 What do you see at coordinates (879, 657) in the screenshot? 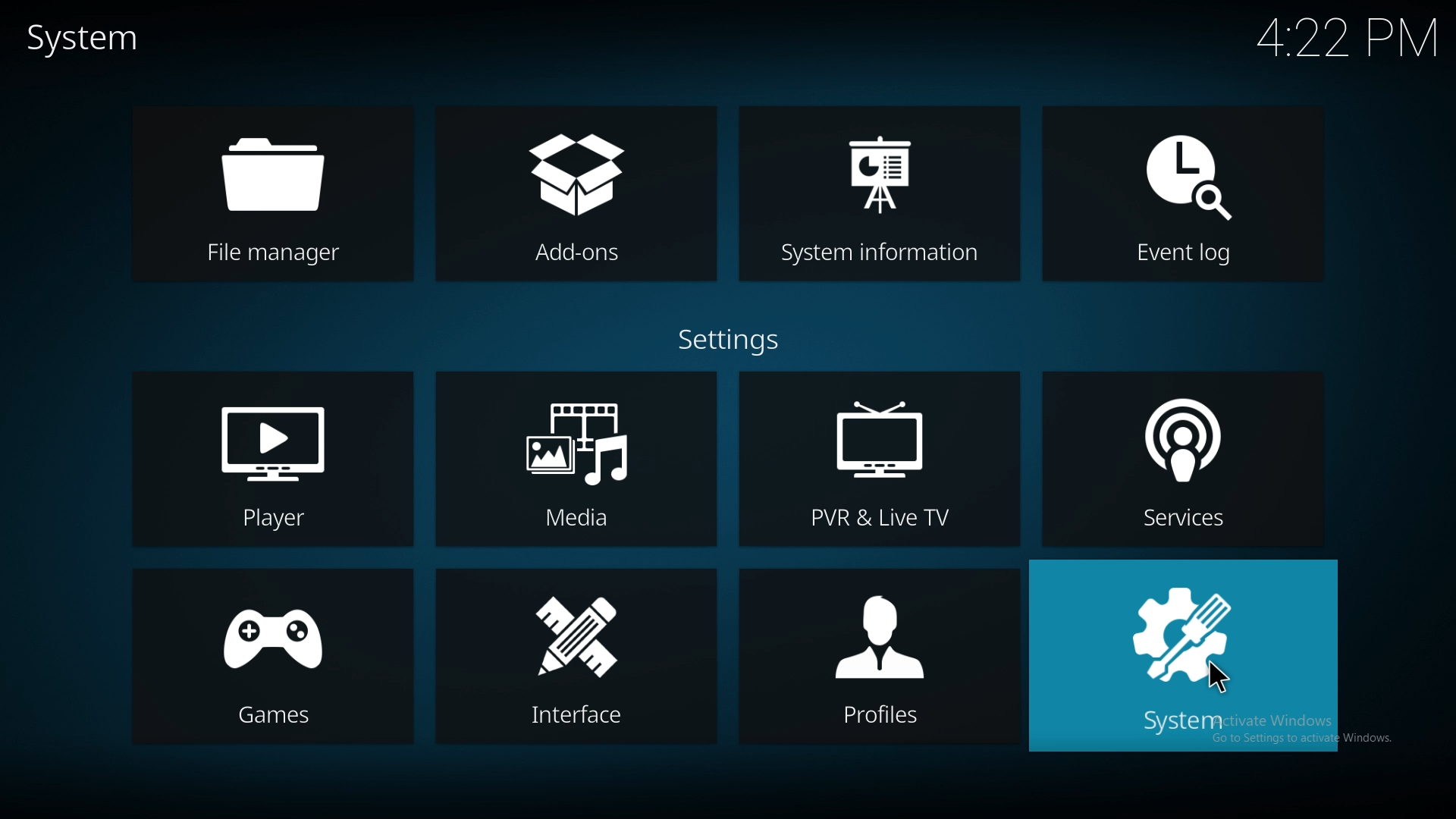
I see `profiles` at bounding box center [879, 657].